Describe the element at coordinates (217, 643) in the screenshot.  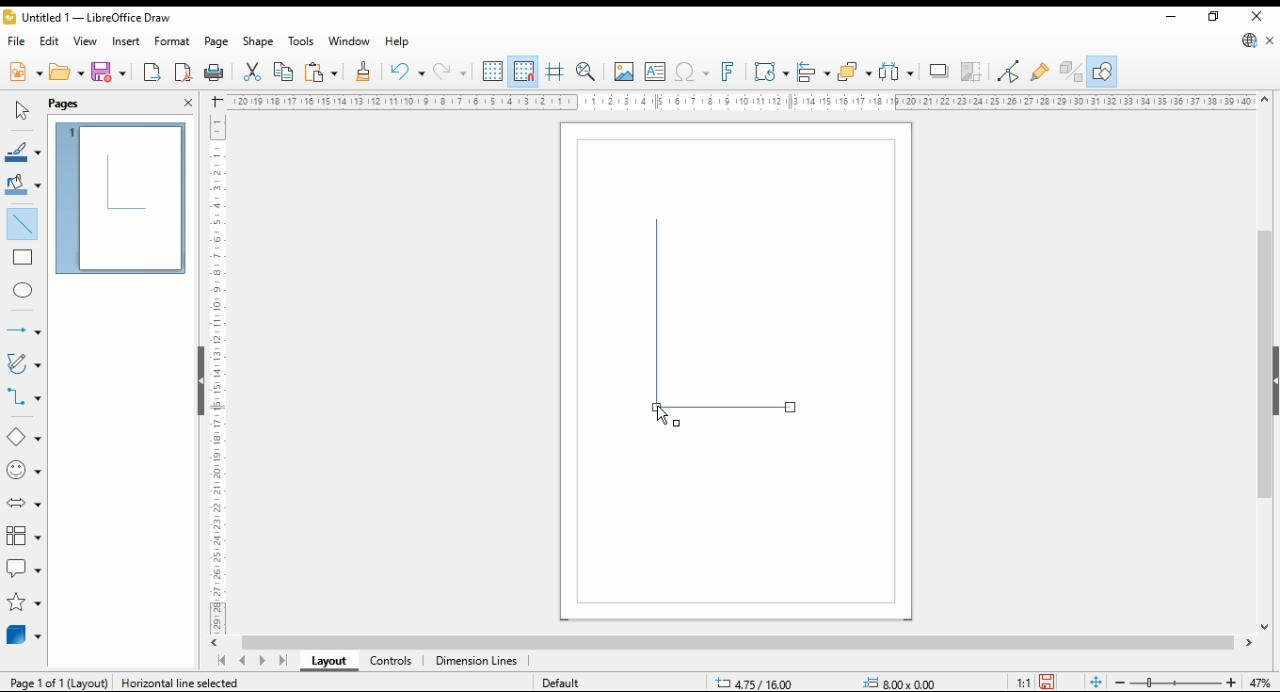
I see `move left` at that location.